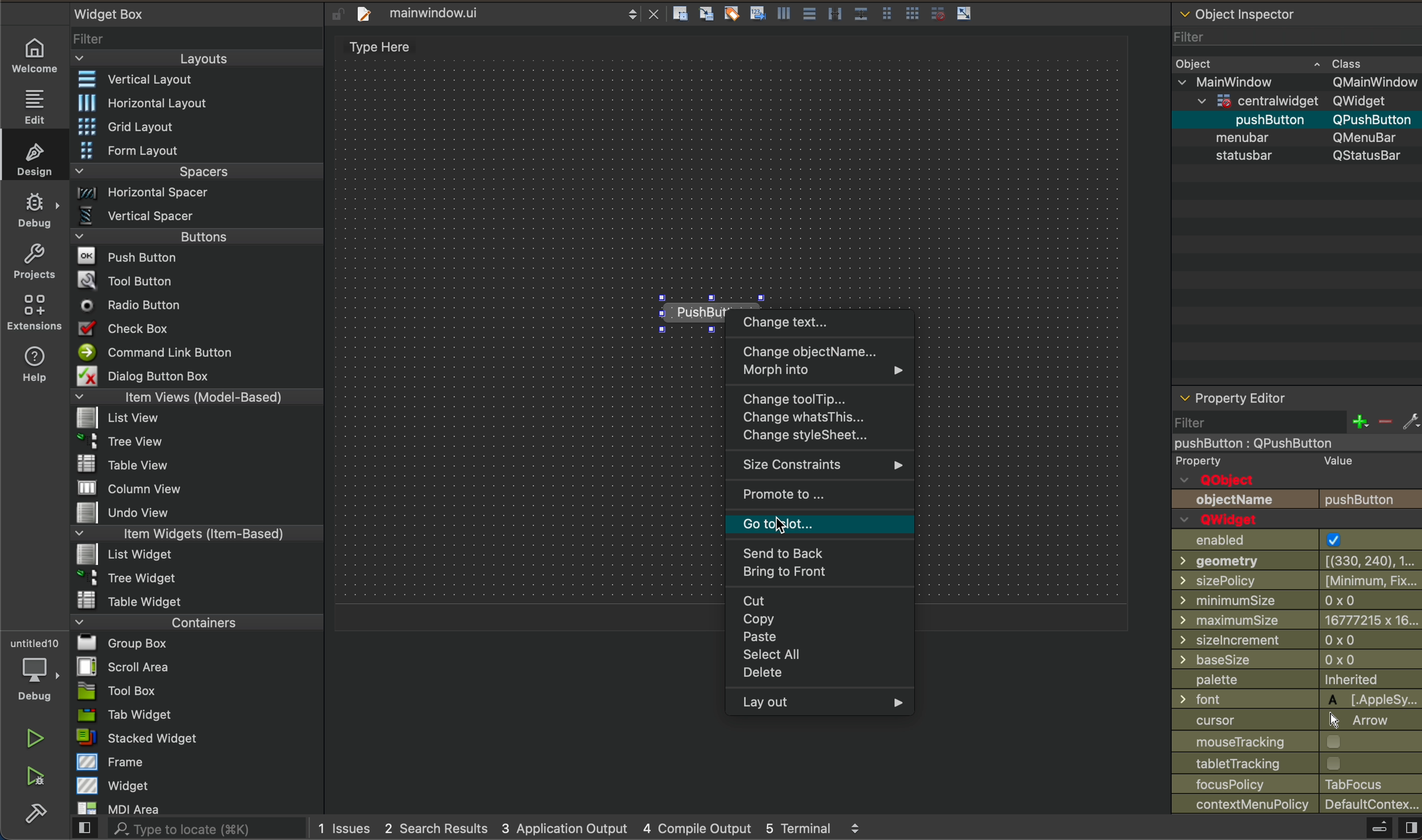 Image resolution: width=1422 pixels, height=840 pixels. Describe the element at coordinates (821, 419) in the screenshot. I see `change ` at that location.